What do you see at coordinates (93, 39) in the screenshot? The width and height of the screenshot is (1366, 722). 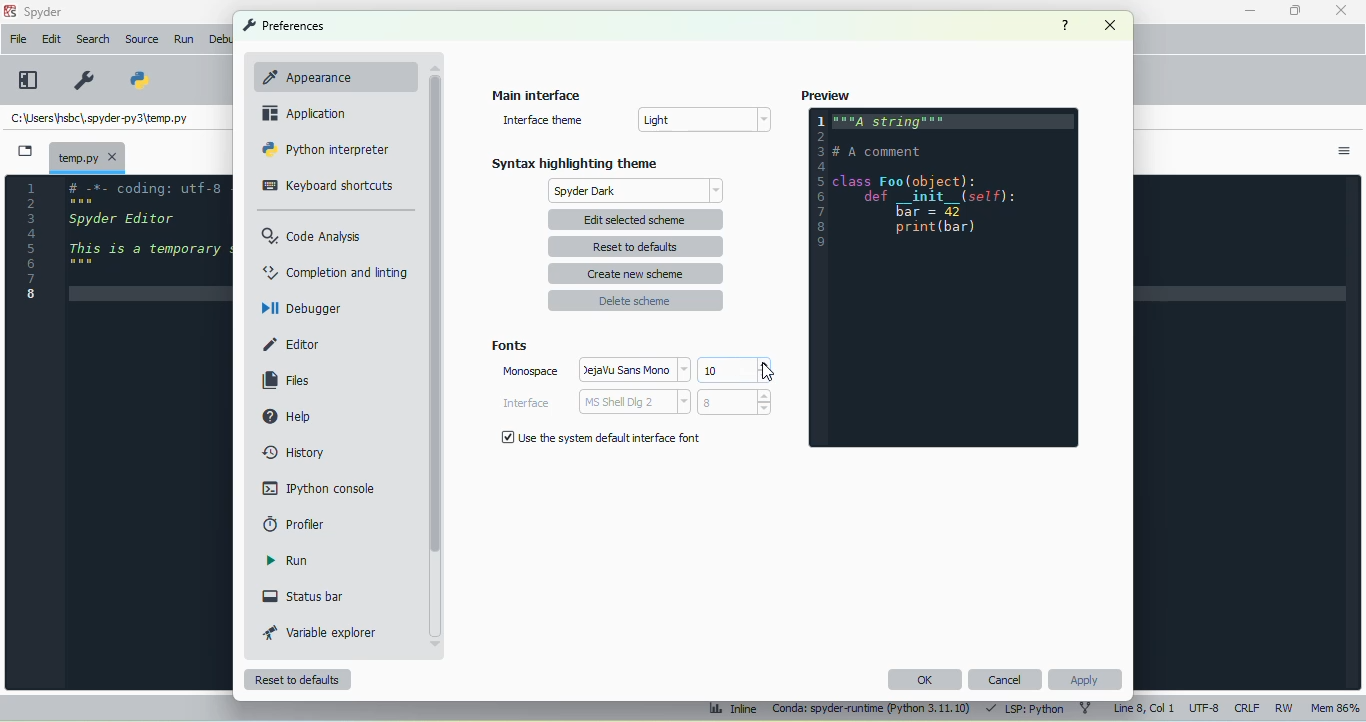 I see `search` at bounding box center [93, 39].